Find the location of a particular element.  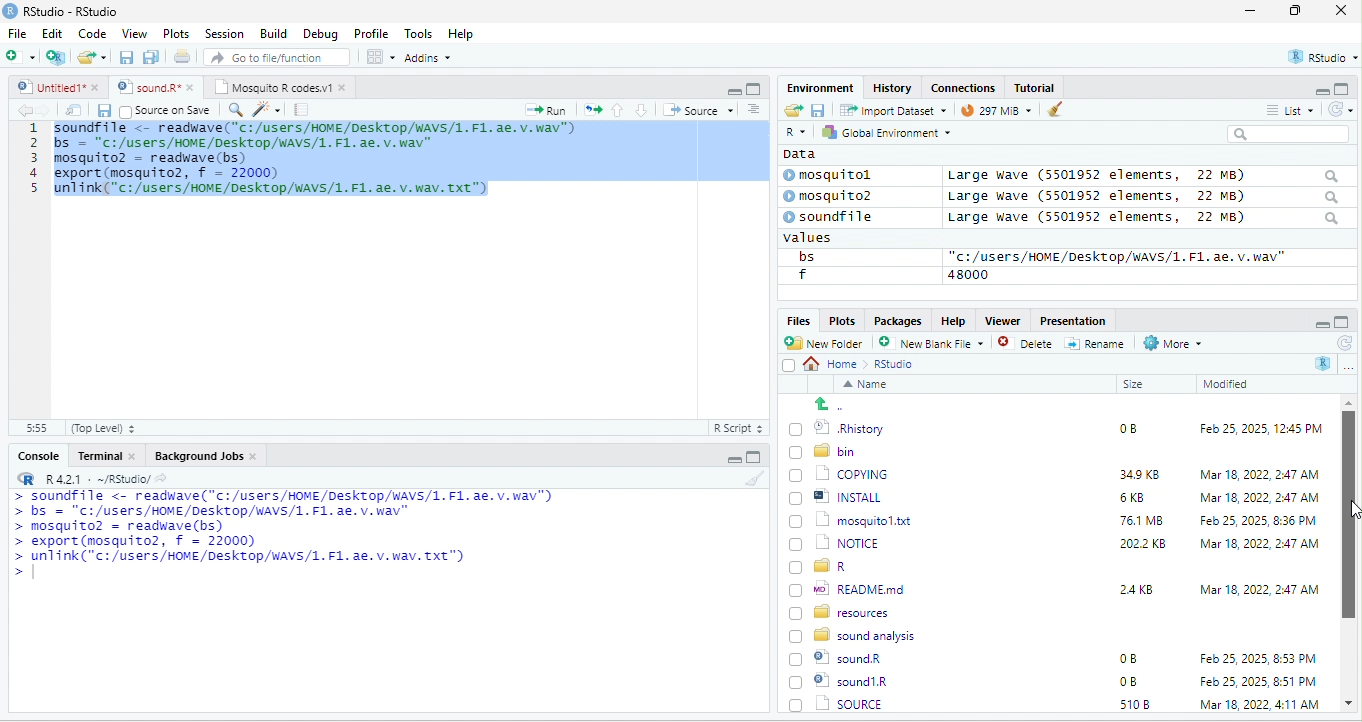

Terminal is located at coordinates (107, 455).